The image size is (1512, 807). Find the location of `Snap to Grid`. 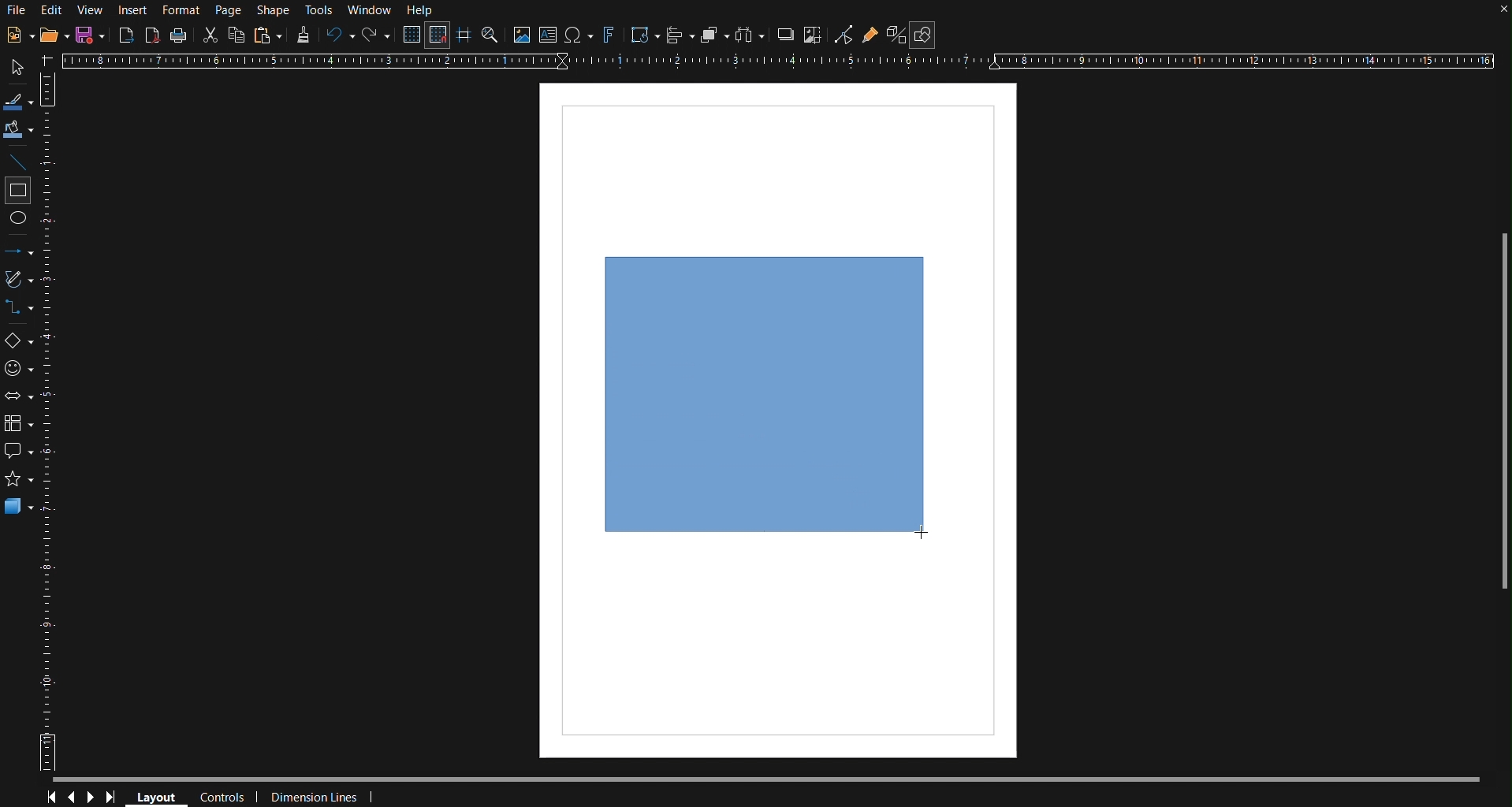

Snap to Grid is located at coordinates (437, 35).